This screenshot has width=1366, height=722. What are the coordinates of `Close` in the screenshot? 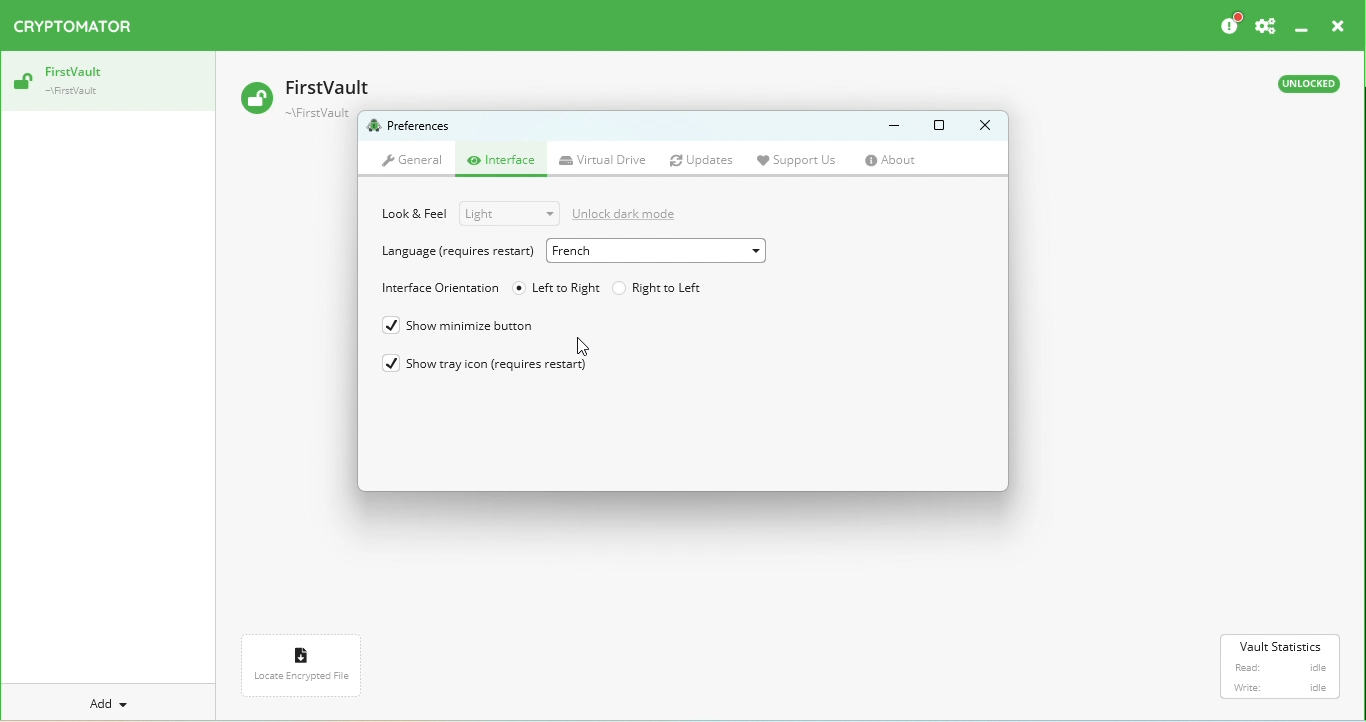 It's located at (980, 125).